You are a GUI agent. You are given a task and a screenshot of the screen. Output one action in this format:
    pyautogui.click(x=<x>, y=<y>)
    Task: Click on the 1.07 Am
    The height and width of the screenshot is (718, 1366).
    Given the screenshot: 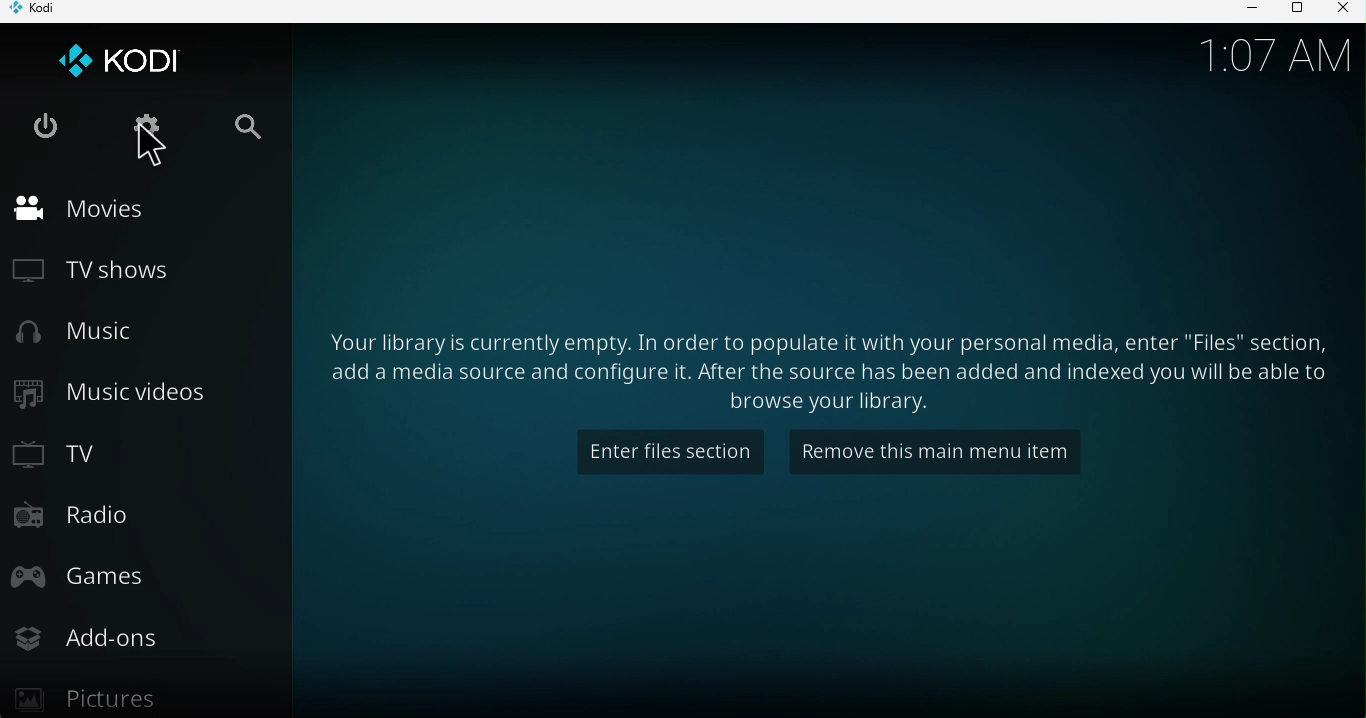 What is the action you would take?
    pyautogui.click(x=1277, y=53)
    